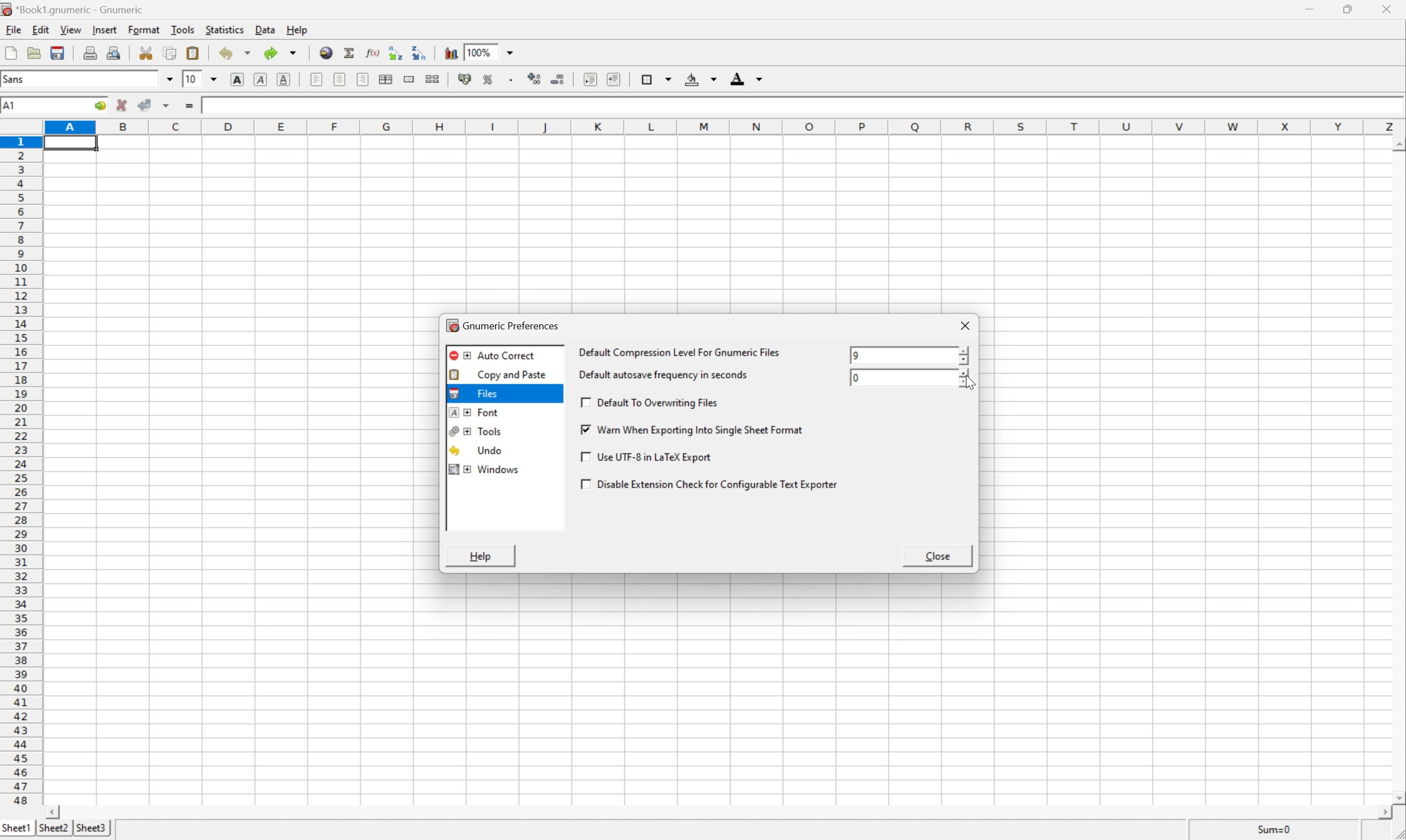 The width and height of the screenshot is (1406, 840). Describe the element at coordinates (1353, 10) in the screenshot. I see `restore down` at that location.